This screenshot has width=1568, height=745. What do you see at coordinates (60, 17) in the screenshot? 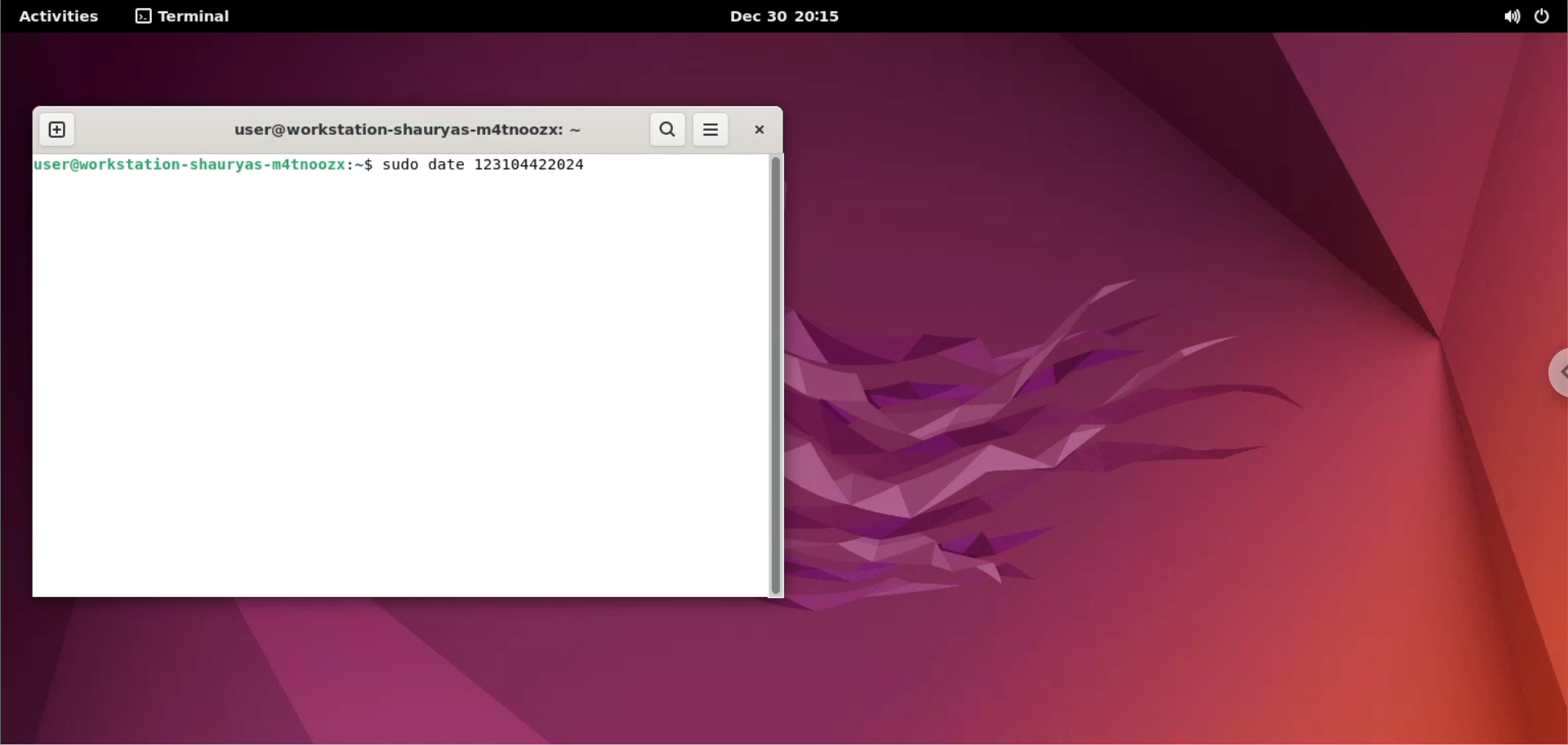
I see `Activities` at bounding box center [60, 17].